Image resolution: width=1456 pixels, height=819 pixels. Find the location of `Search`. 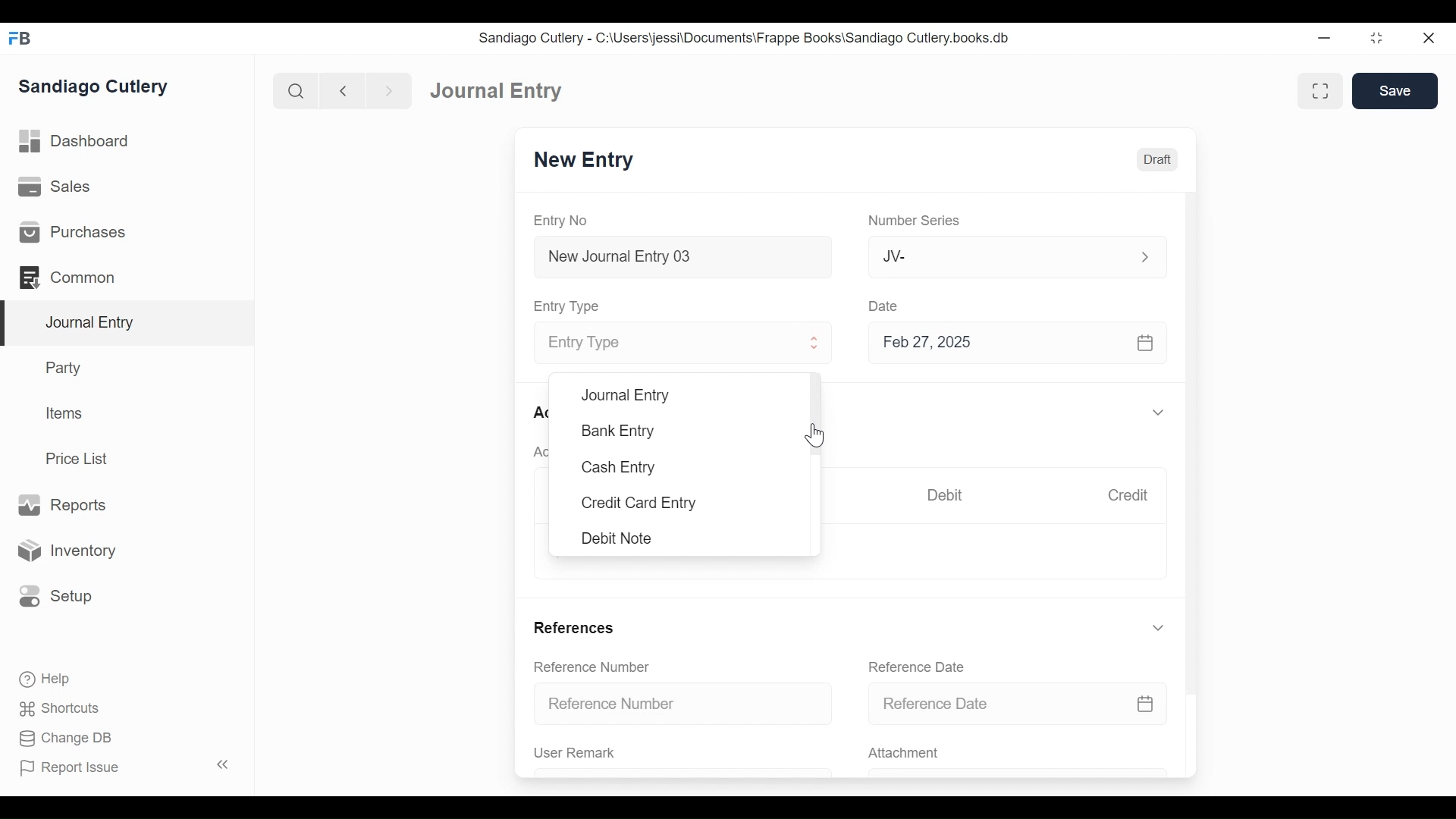

Search is located at coordinates (294, 90).